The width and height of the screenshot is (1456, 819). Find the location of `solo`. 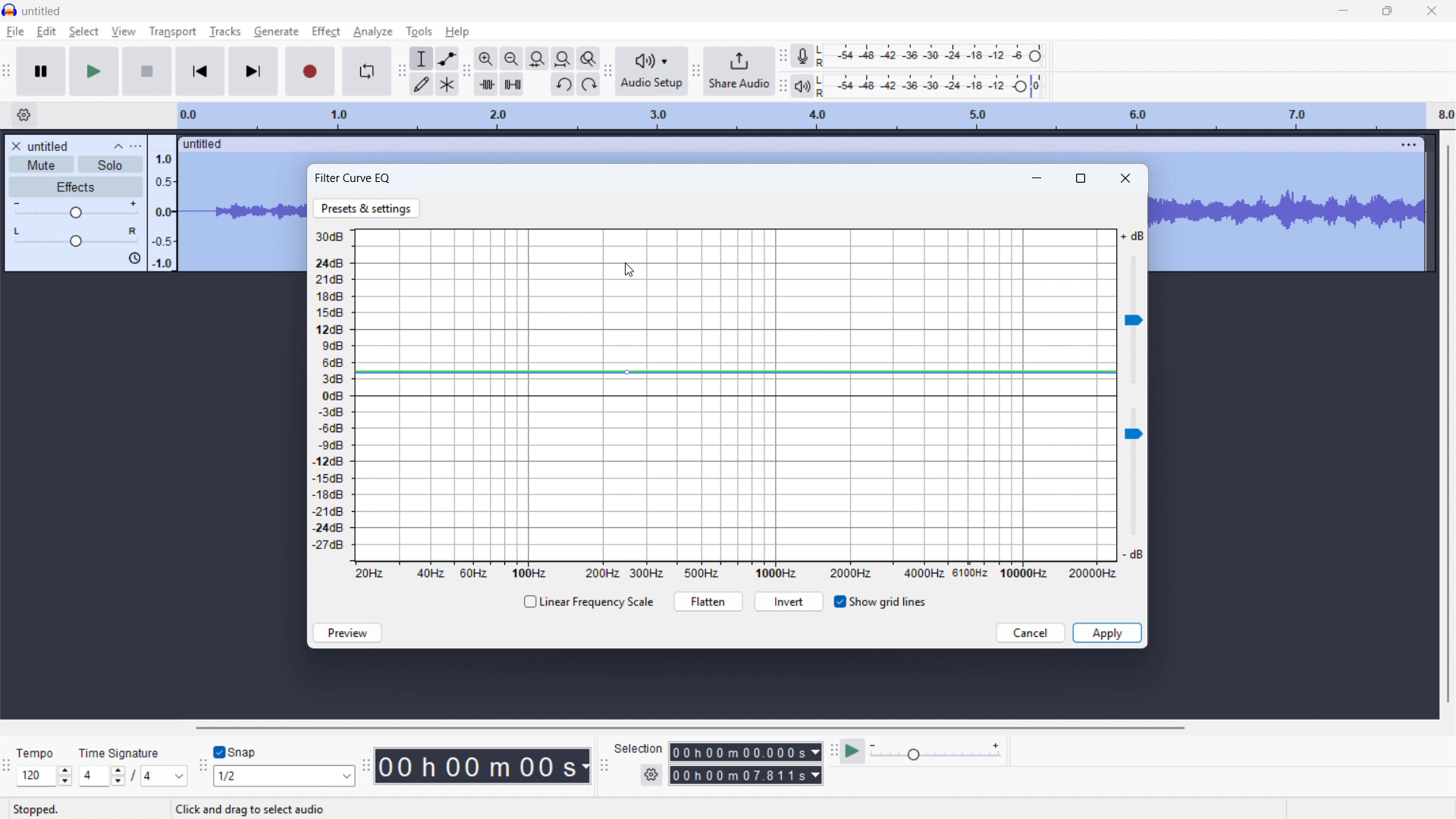

solo is located at coordinates (111, 165).